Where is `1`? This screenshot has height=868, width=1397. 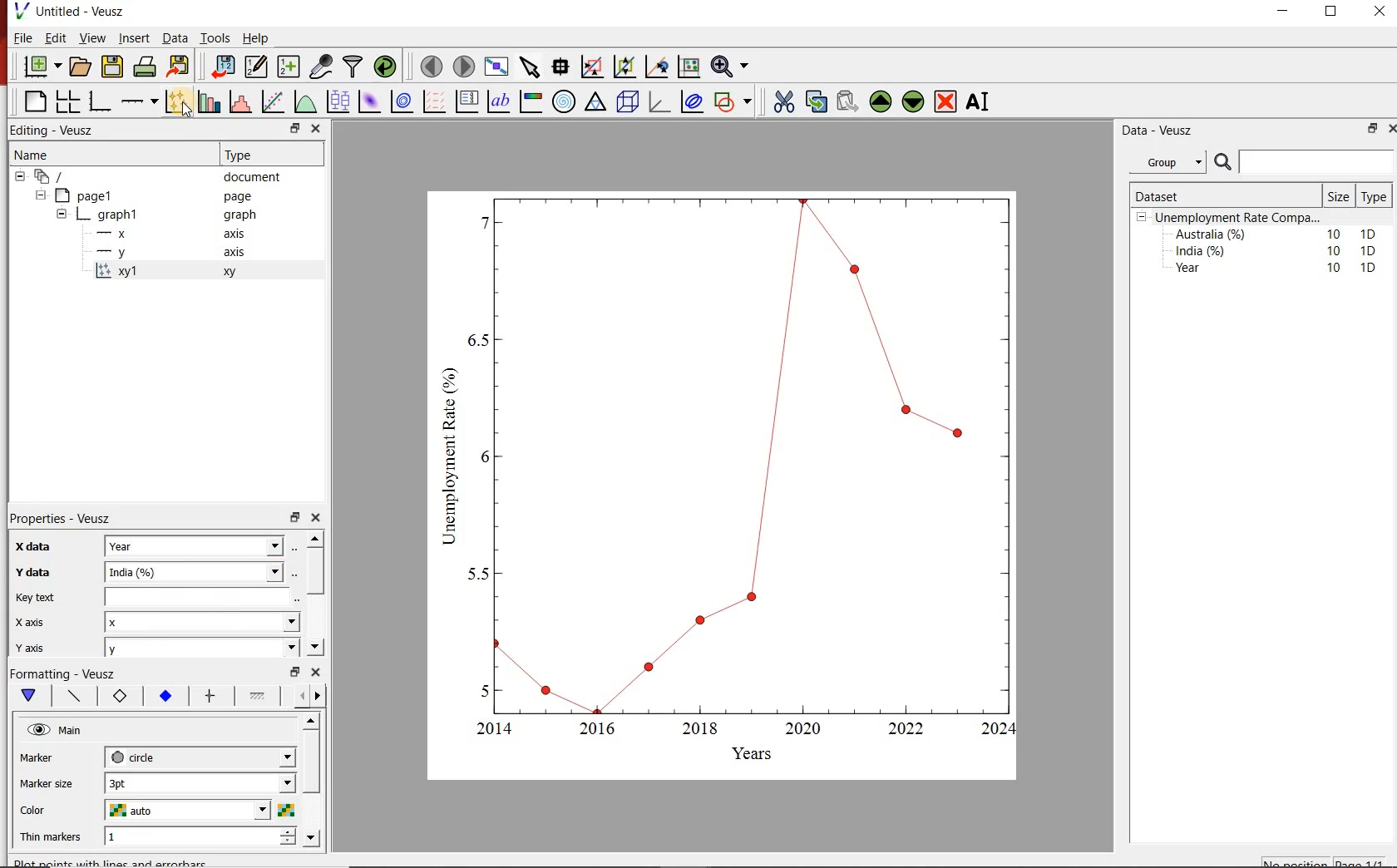 1 is located at coordinates (186, 837).